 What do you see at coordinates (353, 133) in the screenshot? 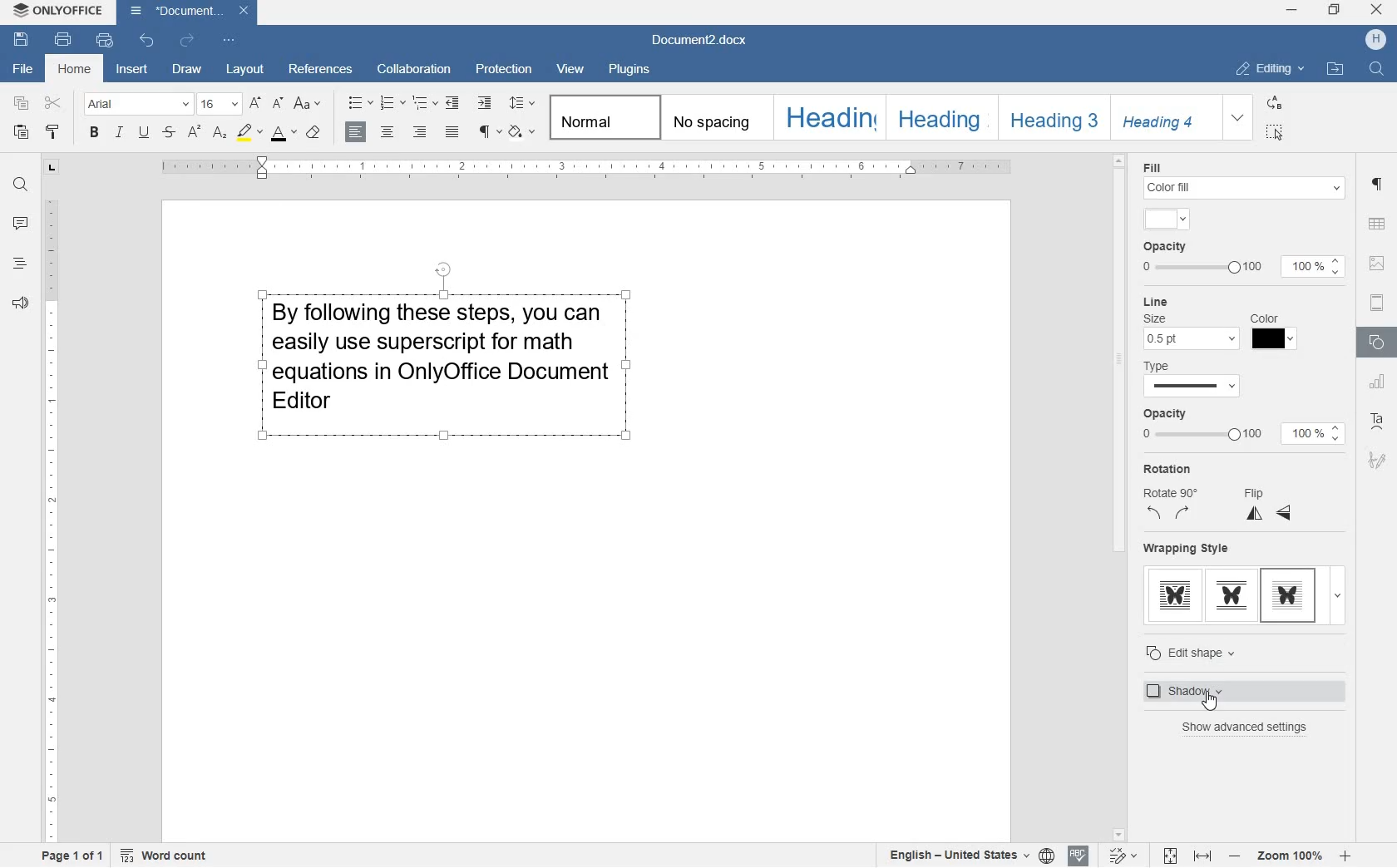
I see `left alignment` at bounding box center [353, 133].